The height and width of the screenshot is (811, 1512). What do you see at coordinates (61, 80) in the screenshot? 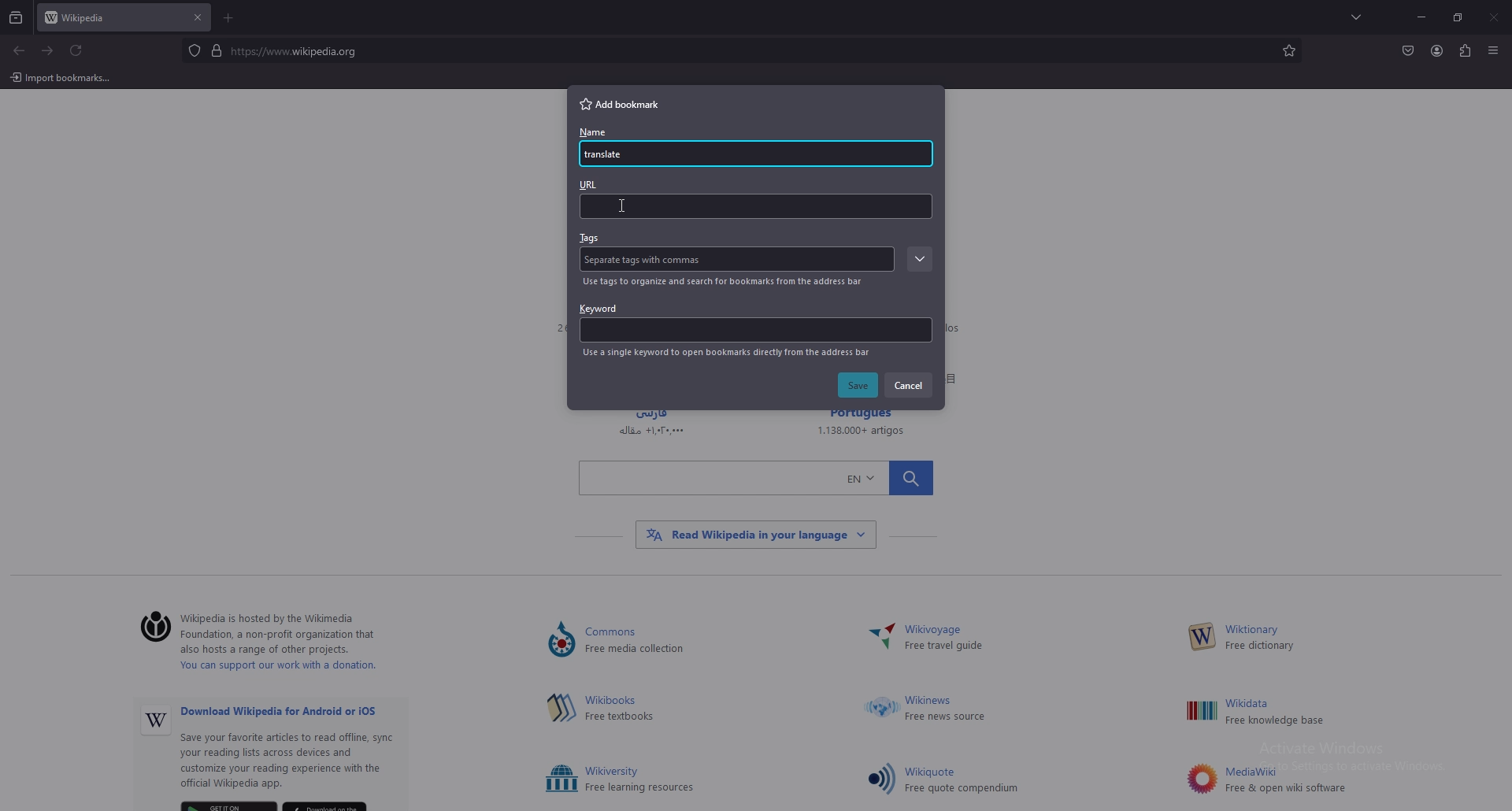
I see `` at bounding box center [61, 80].